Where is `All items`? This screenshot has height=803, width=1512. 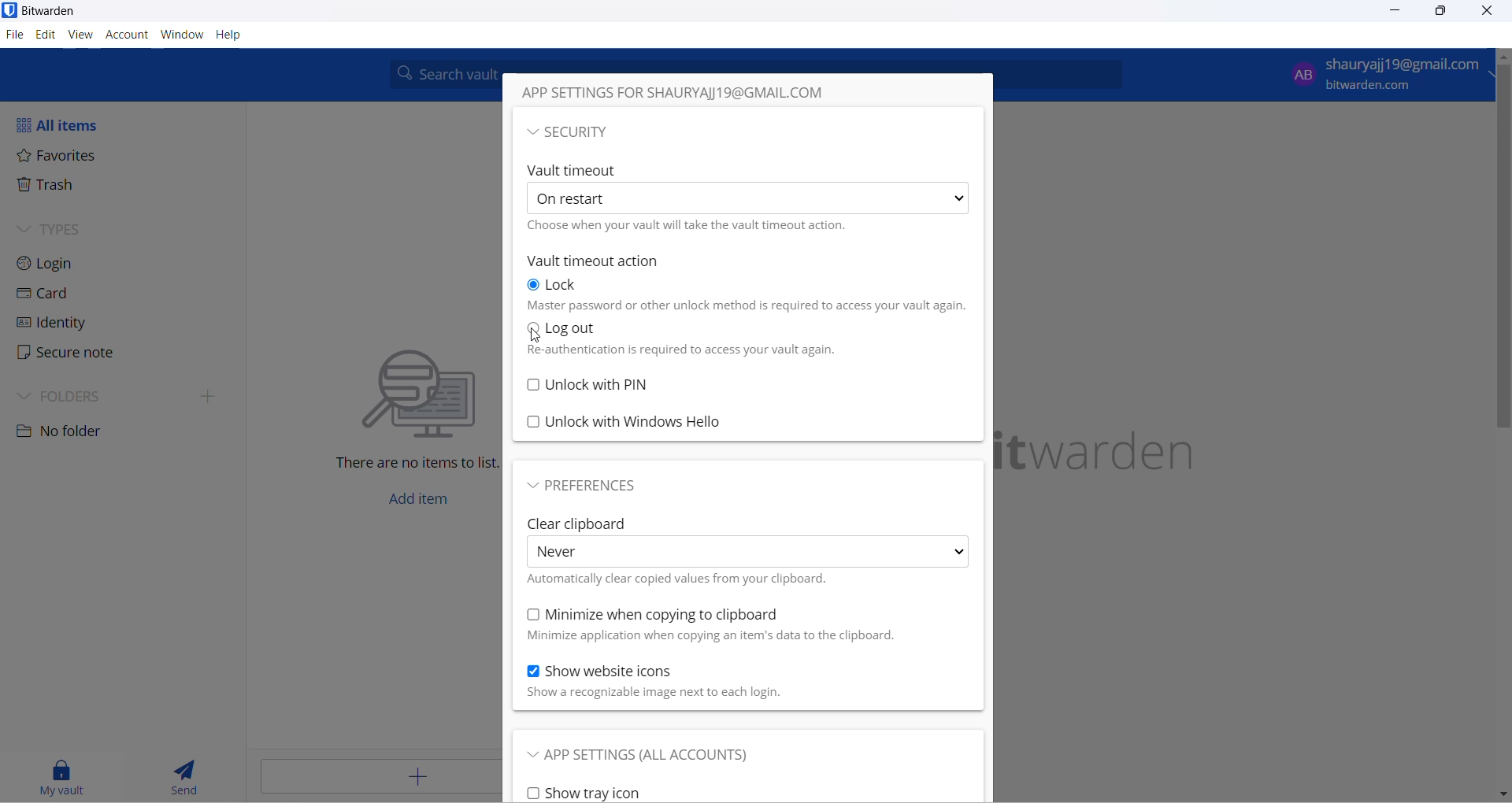
All items is located at coordinates (67, 122).